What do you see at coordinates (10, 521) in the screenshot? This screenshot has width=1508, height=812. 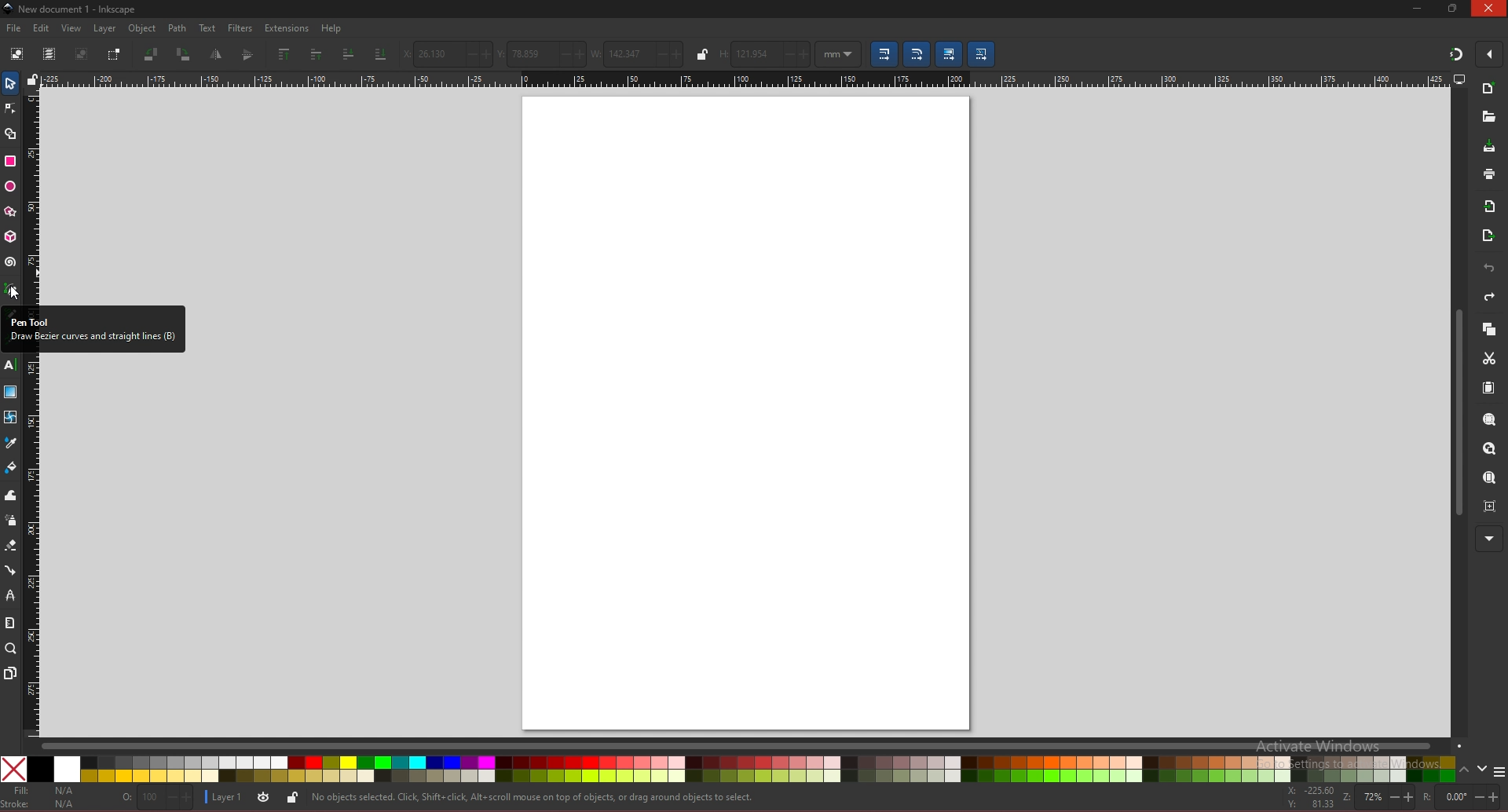 I see `spray` at bounding box center [10, 521].